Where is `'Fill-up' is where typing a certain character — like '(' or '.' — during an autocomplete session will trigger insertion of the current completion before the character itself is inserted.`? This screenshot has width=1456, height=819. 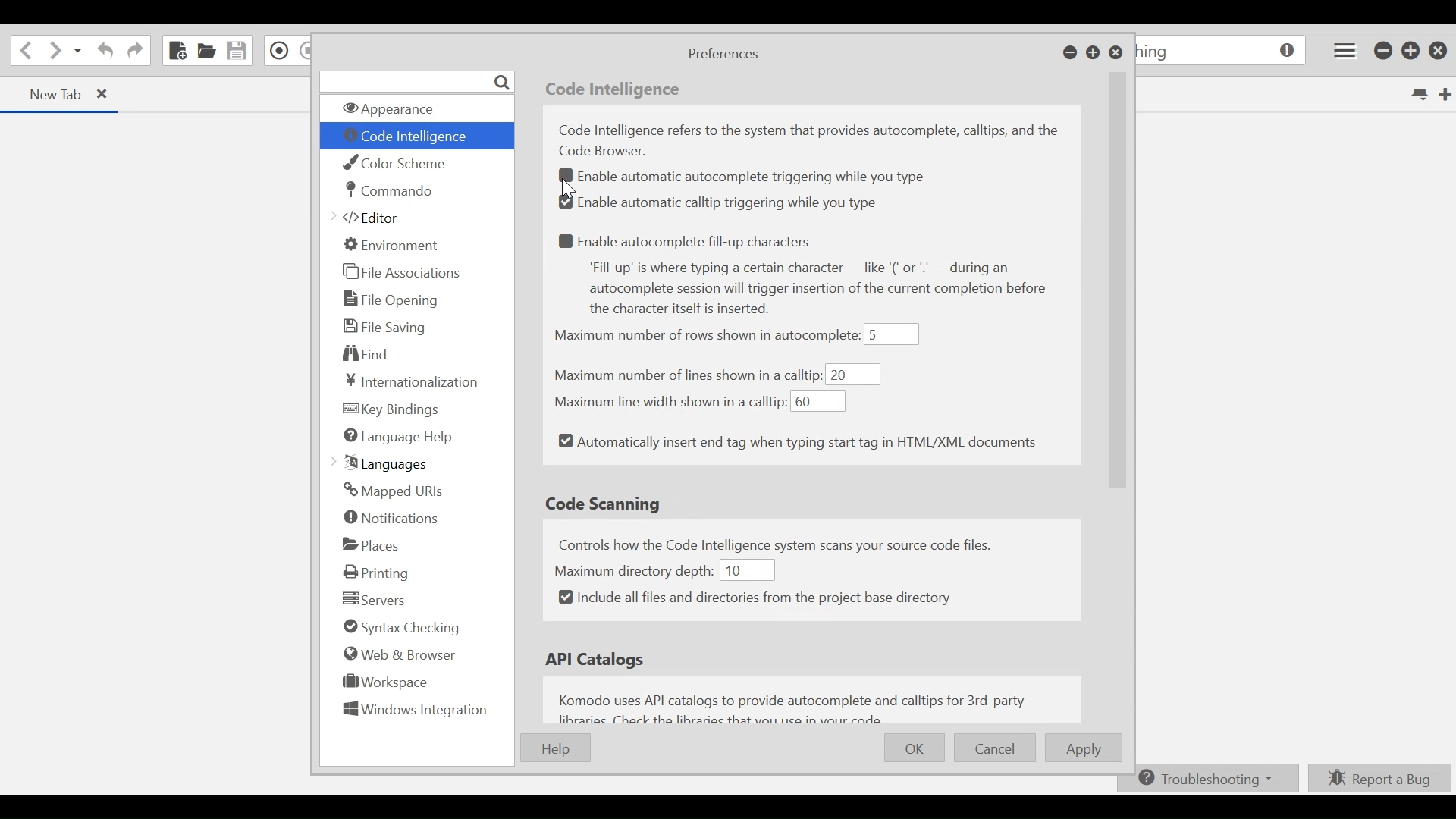
'Fill-up' is where typing a certain character — like '(' or '.' — during an autocomplete session will trigger insertion of the current completion before the character itself is inserted. is located at coordinates (826, 290).